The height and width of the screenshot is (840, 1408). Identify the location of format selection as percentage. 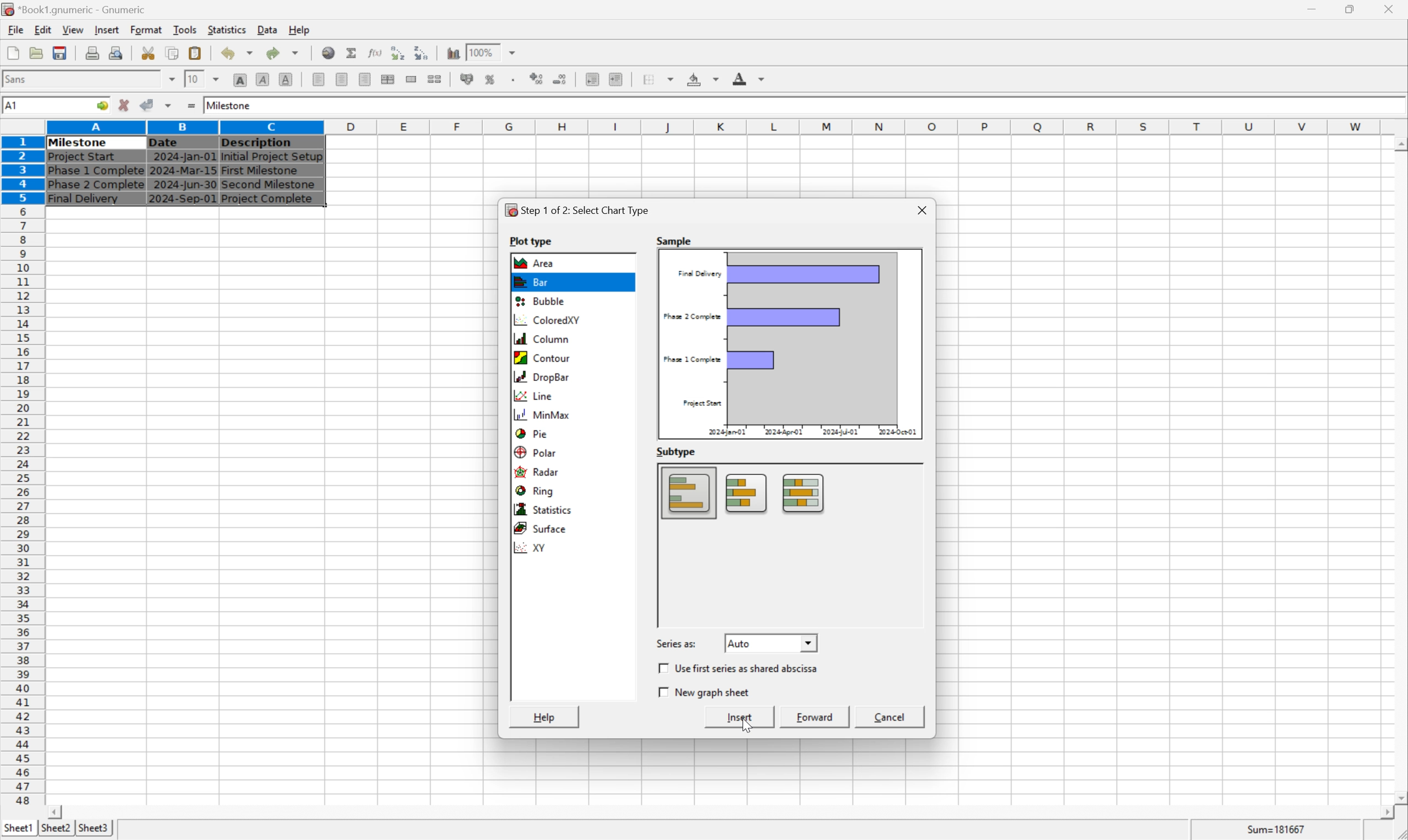
(491, 79).